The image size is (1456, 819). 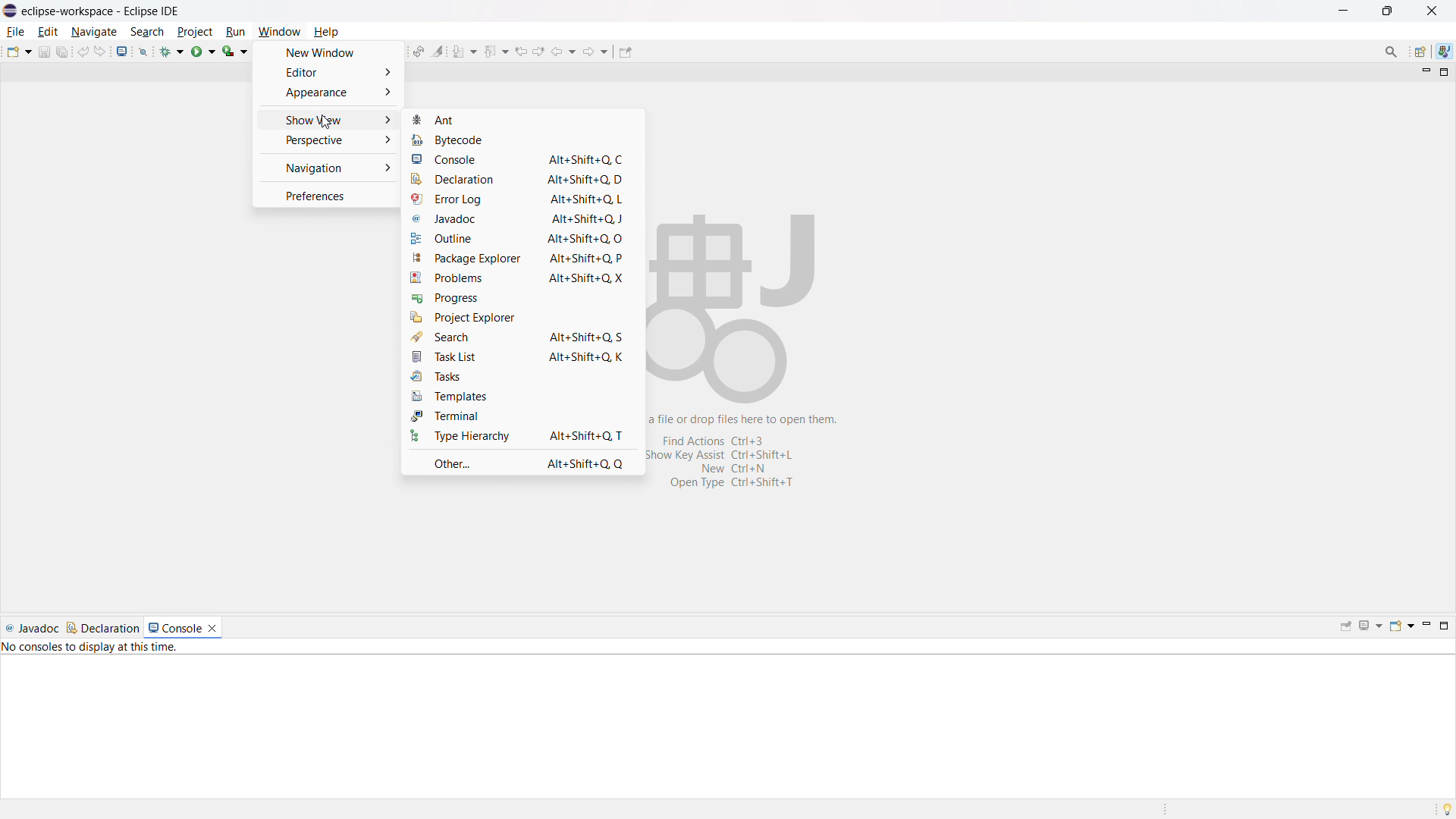 I want to click on coverage, so click(x=236, y=51).